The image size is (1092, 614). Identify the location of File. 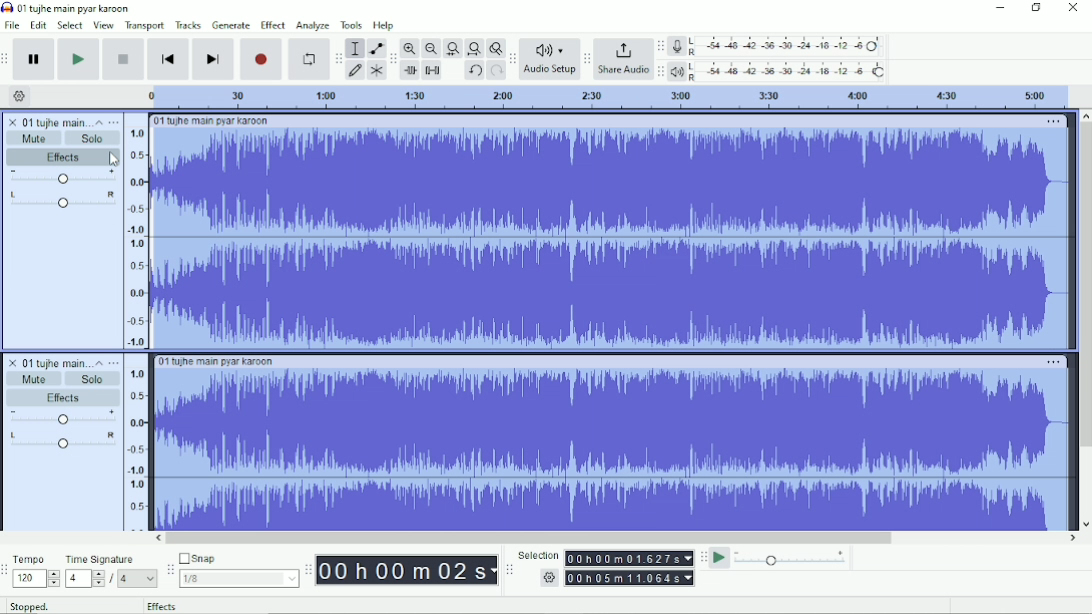
(12, 25).